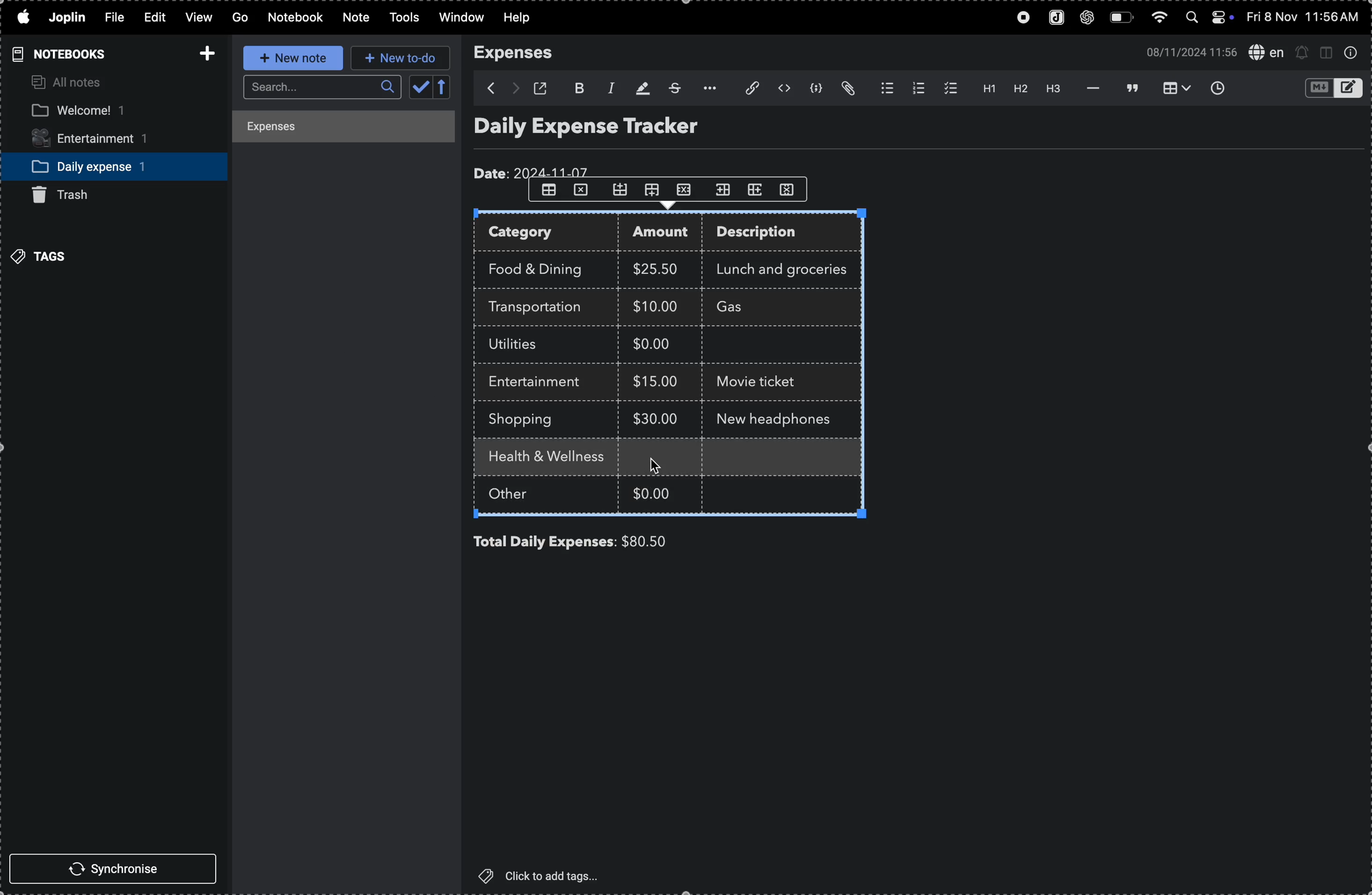 Image resolution: width=1372 pixels, height=895 pixels. I want to click on code, so click(817, 90).